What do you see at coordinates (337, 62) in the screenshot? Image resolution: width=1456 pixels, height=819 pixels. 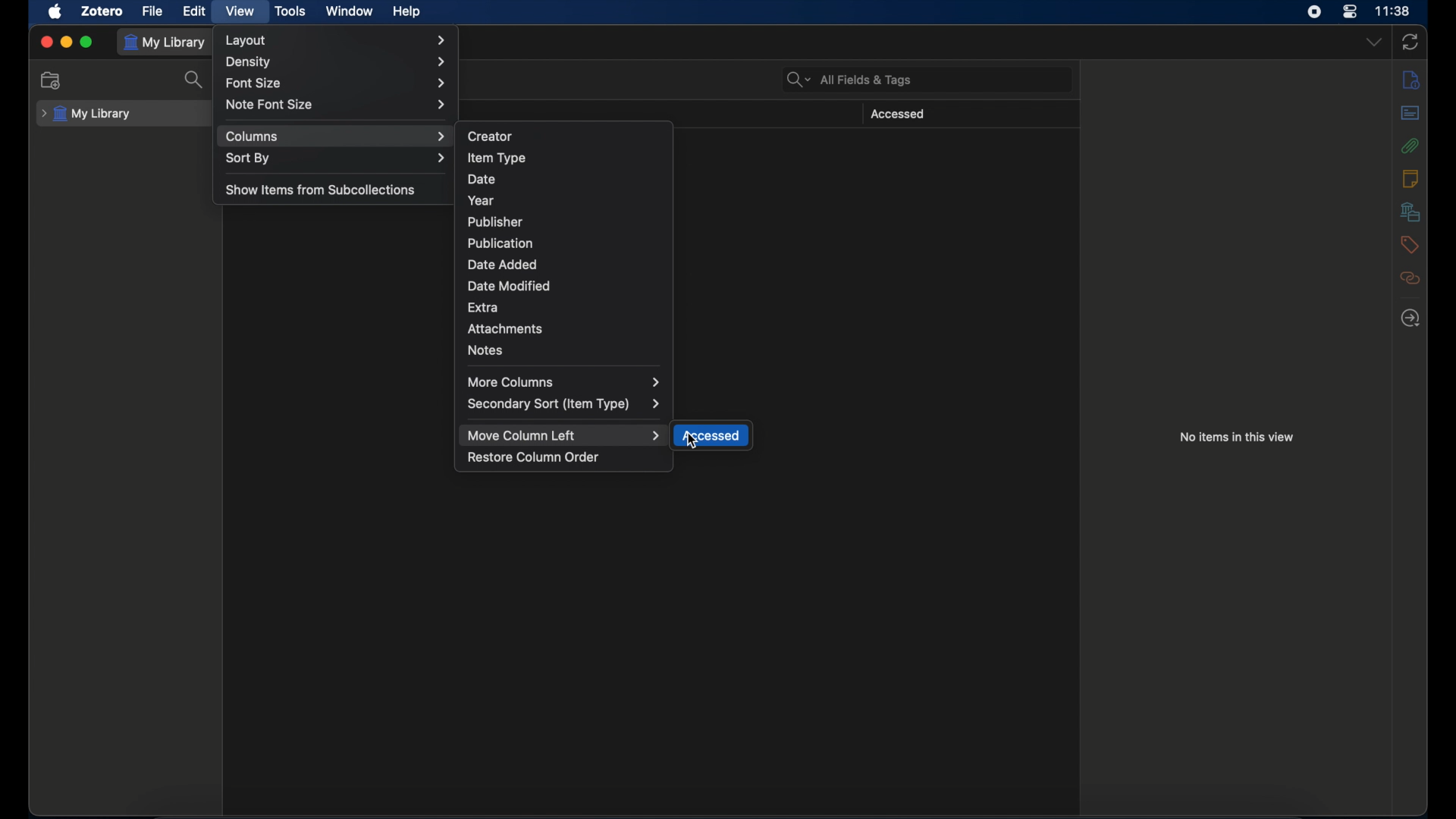 I see `density` at bounding box center [337, 62].